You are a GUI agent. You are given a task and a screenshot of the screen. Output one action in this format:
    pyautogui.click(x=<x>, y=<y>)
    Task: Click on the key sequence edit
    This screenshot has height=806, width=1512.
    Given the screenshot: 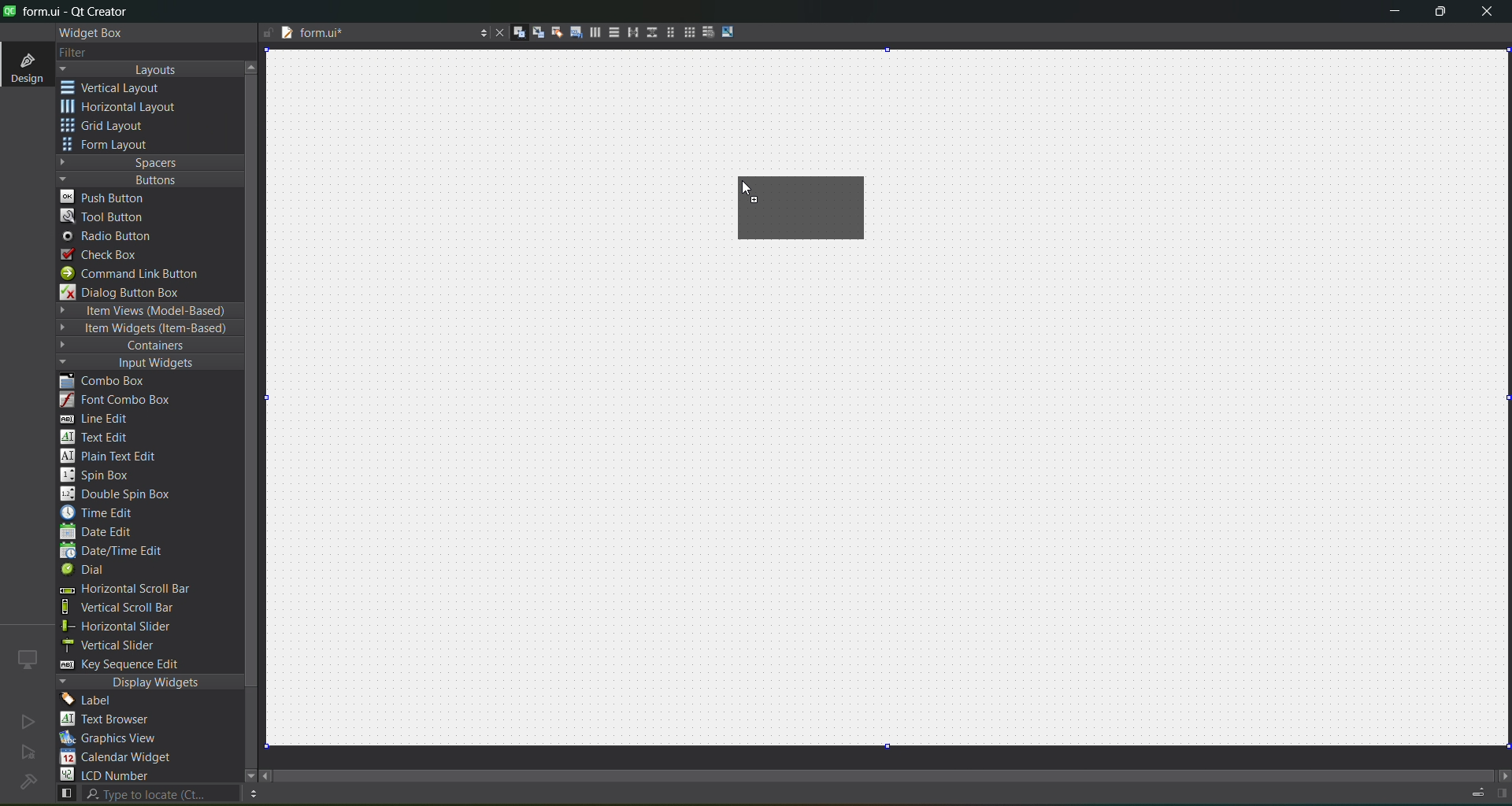 What is the action you would take?
    pyautogui.click(x=131, y=665)
    